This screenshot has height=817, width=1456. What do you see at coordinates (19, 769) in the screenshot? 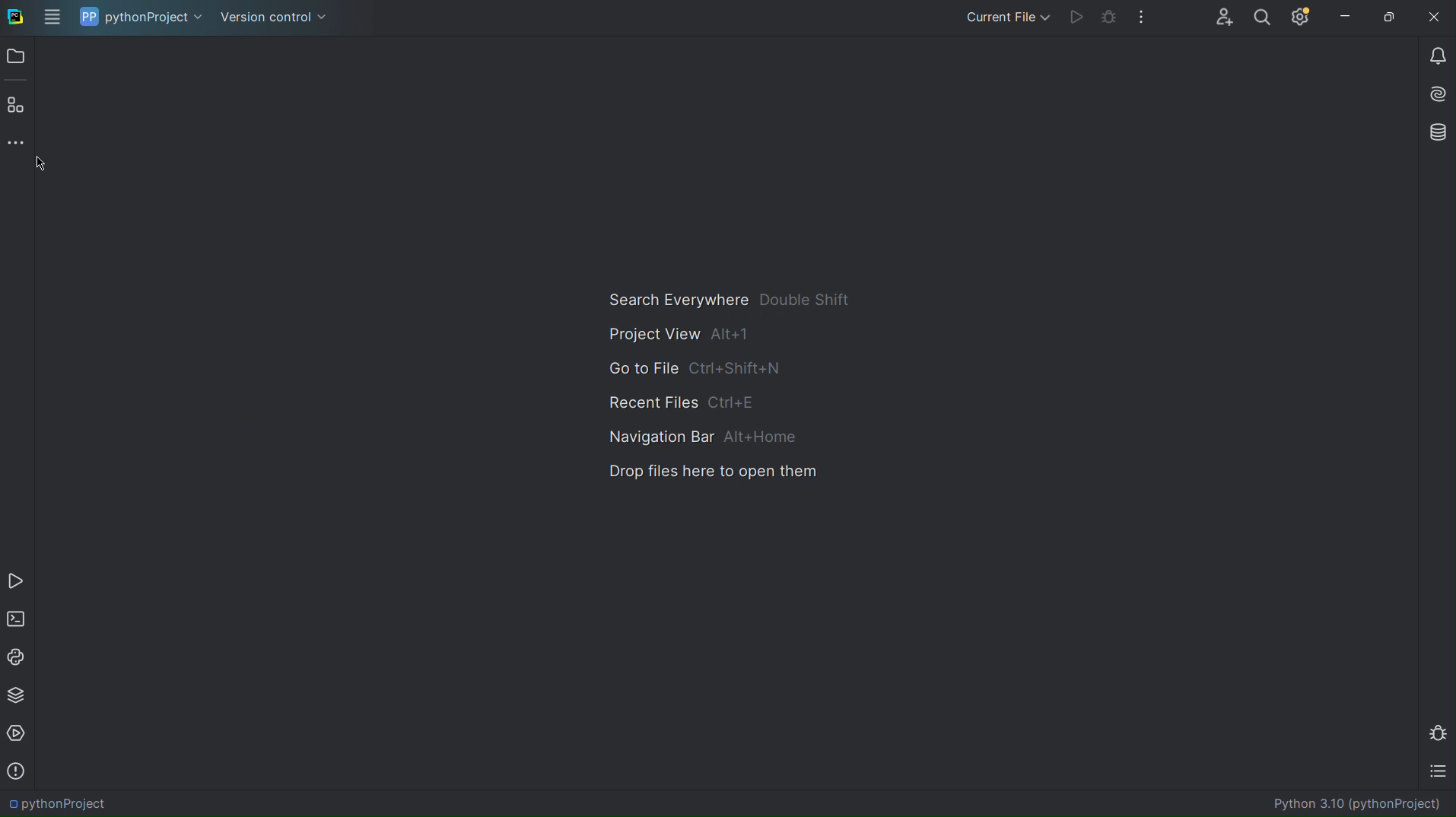
I see `Problems` at bounding box center [19, 769].